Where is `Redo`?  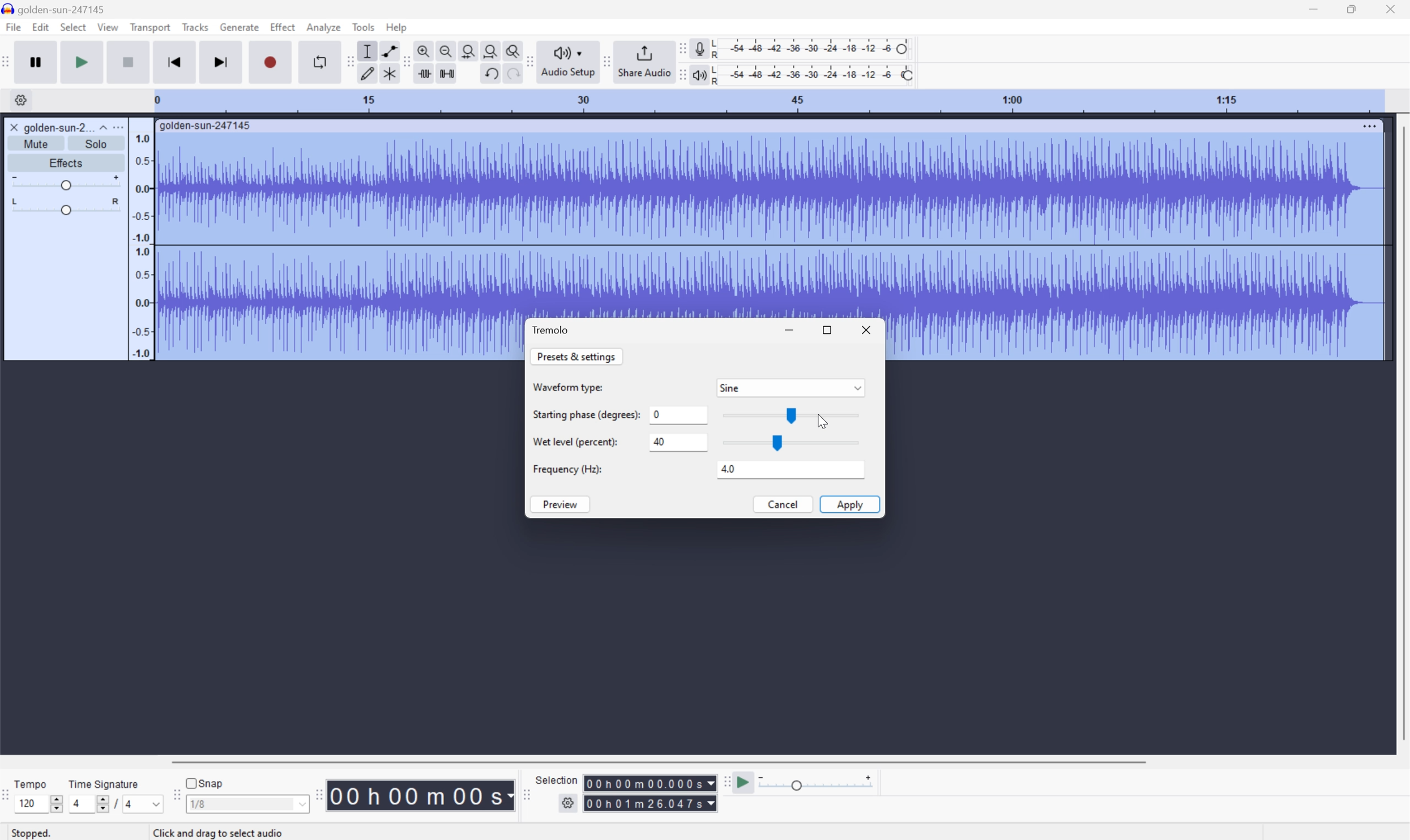 Redo is located at coordinates (512, 75).